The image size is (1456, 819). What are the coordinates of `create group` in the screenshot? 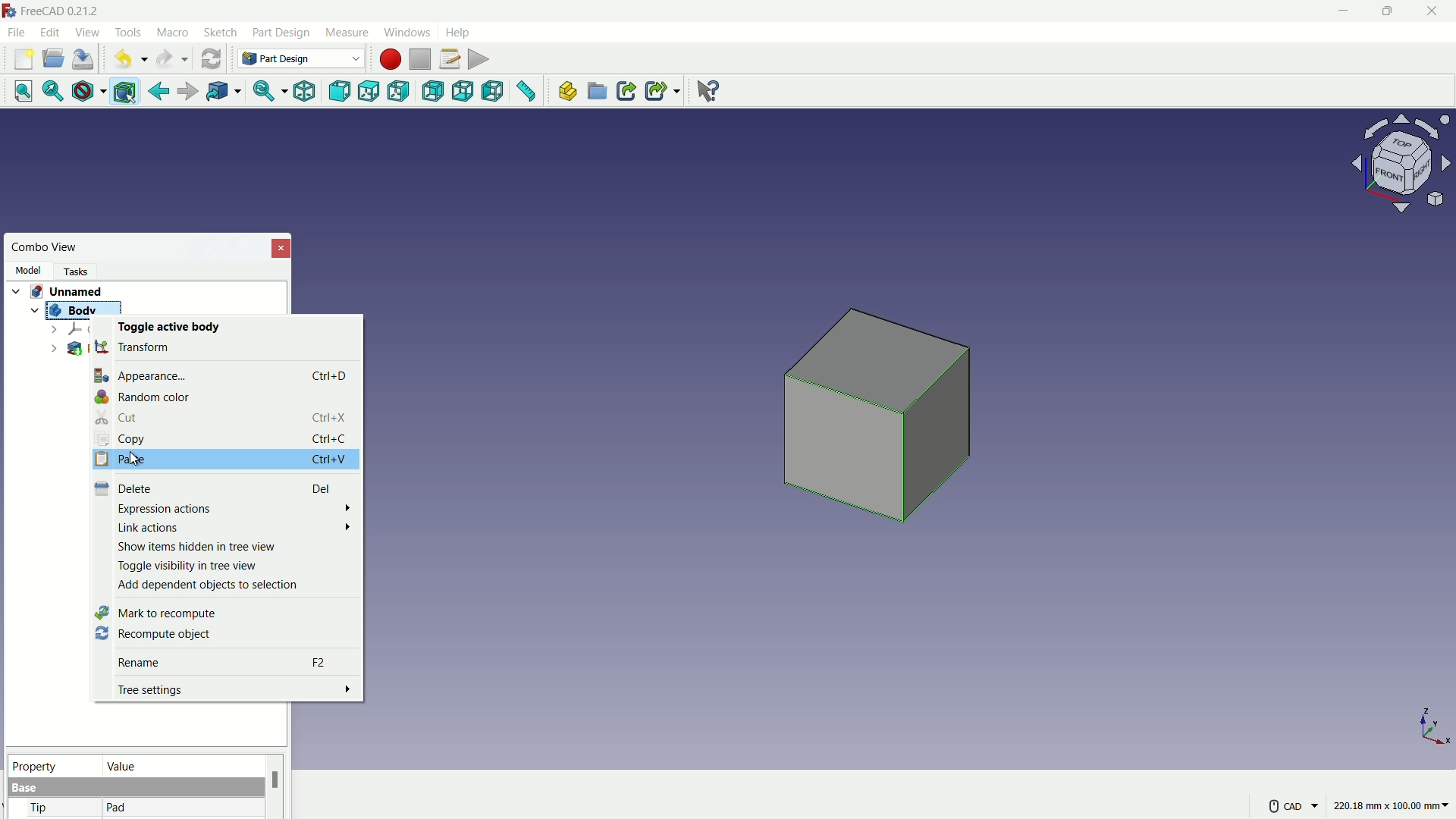 It's located at (598, 93).